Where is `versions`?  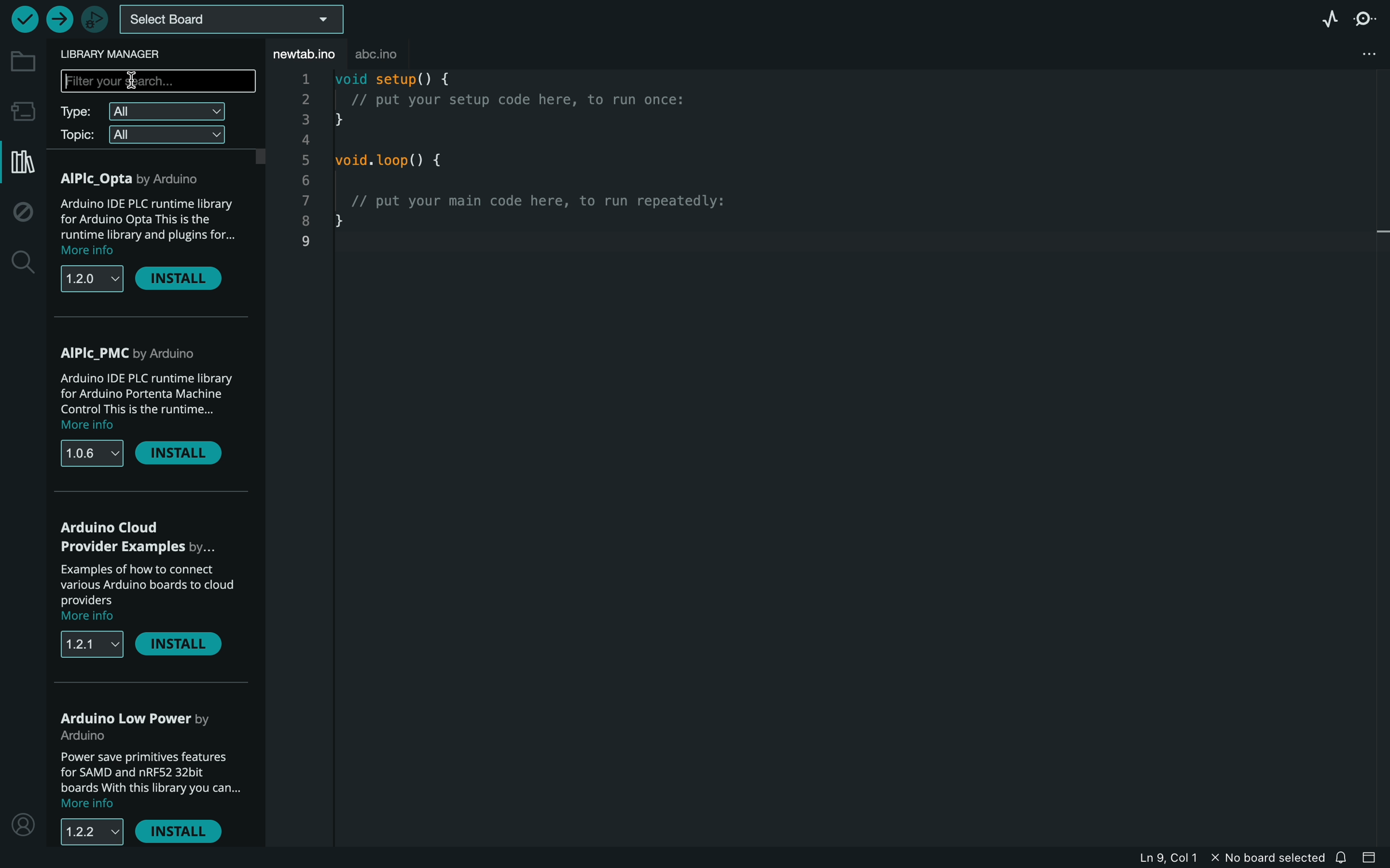 versions is located at coordinates (94, 644).